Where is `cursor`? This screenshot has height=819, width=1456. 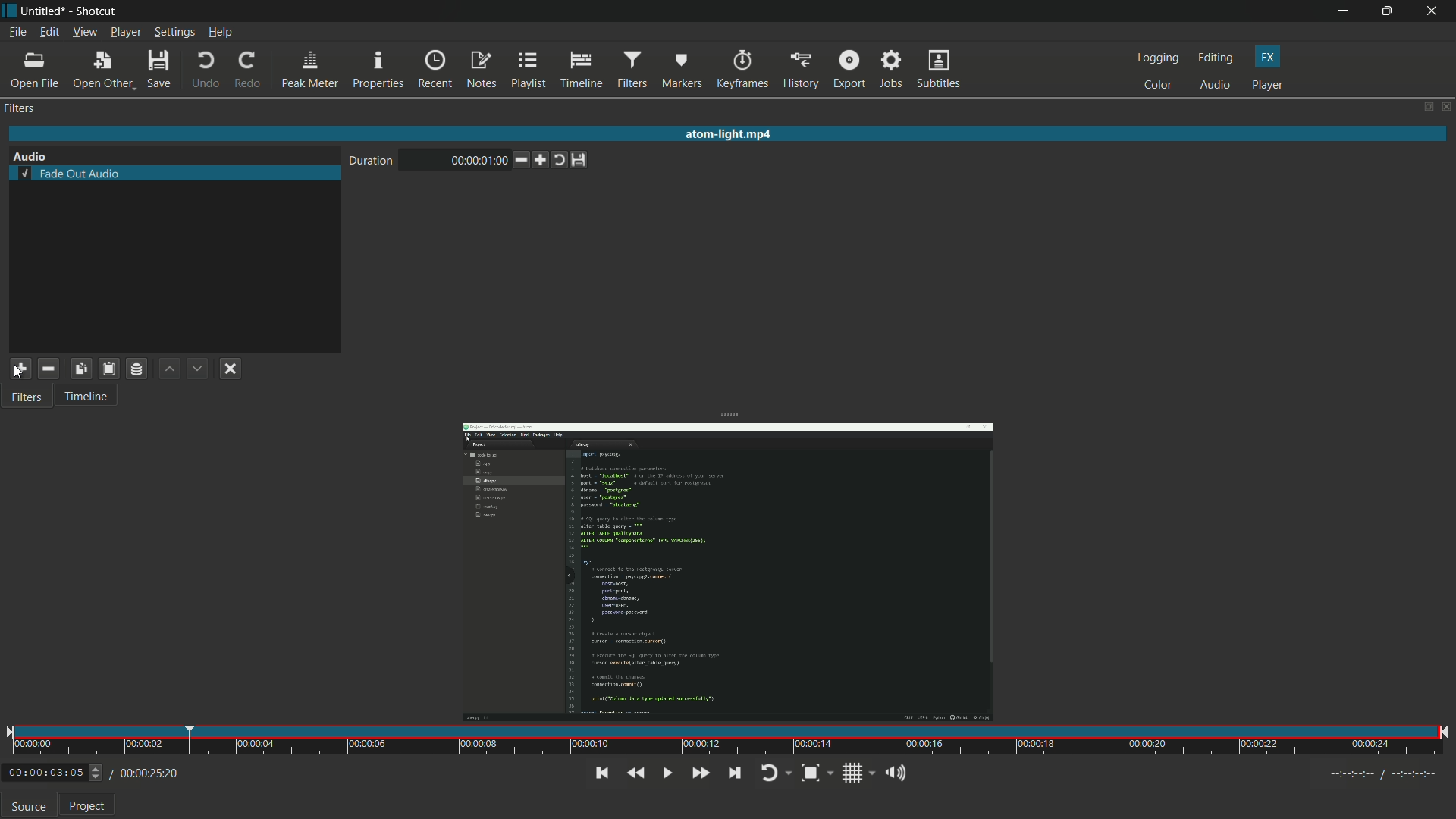 cursor is located at coordinates (19, 374).